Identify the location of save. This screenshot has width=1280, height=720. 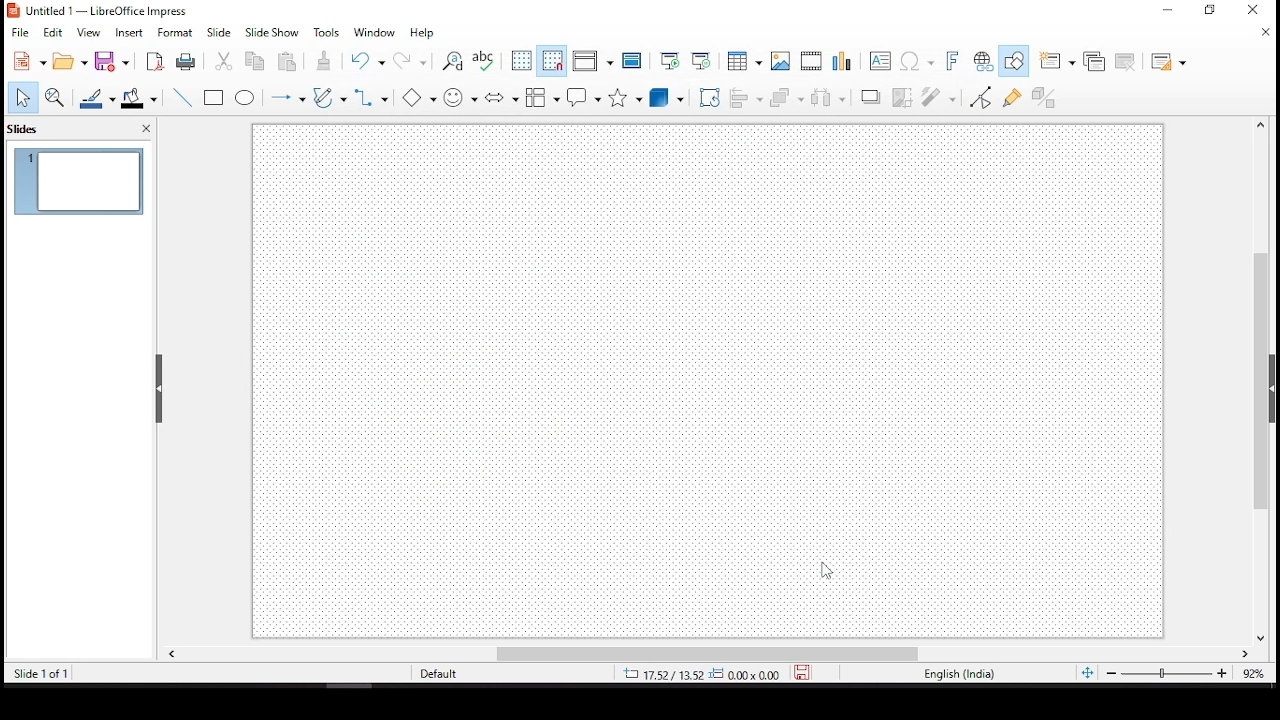
(112, 63).